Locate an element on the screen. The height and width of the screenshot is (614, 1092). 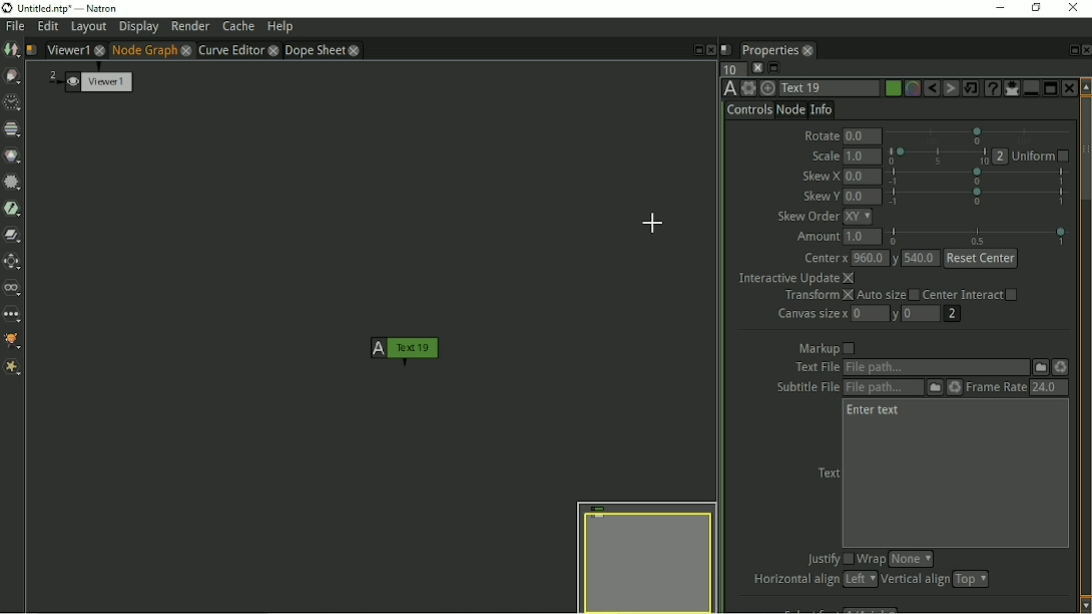
xy is located at coordinates (858, 216).